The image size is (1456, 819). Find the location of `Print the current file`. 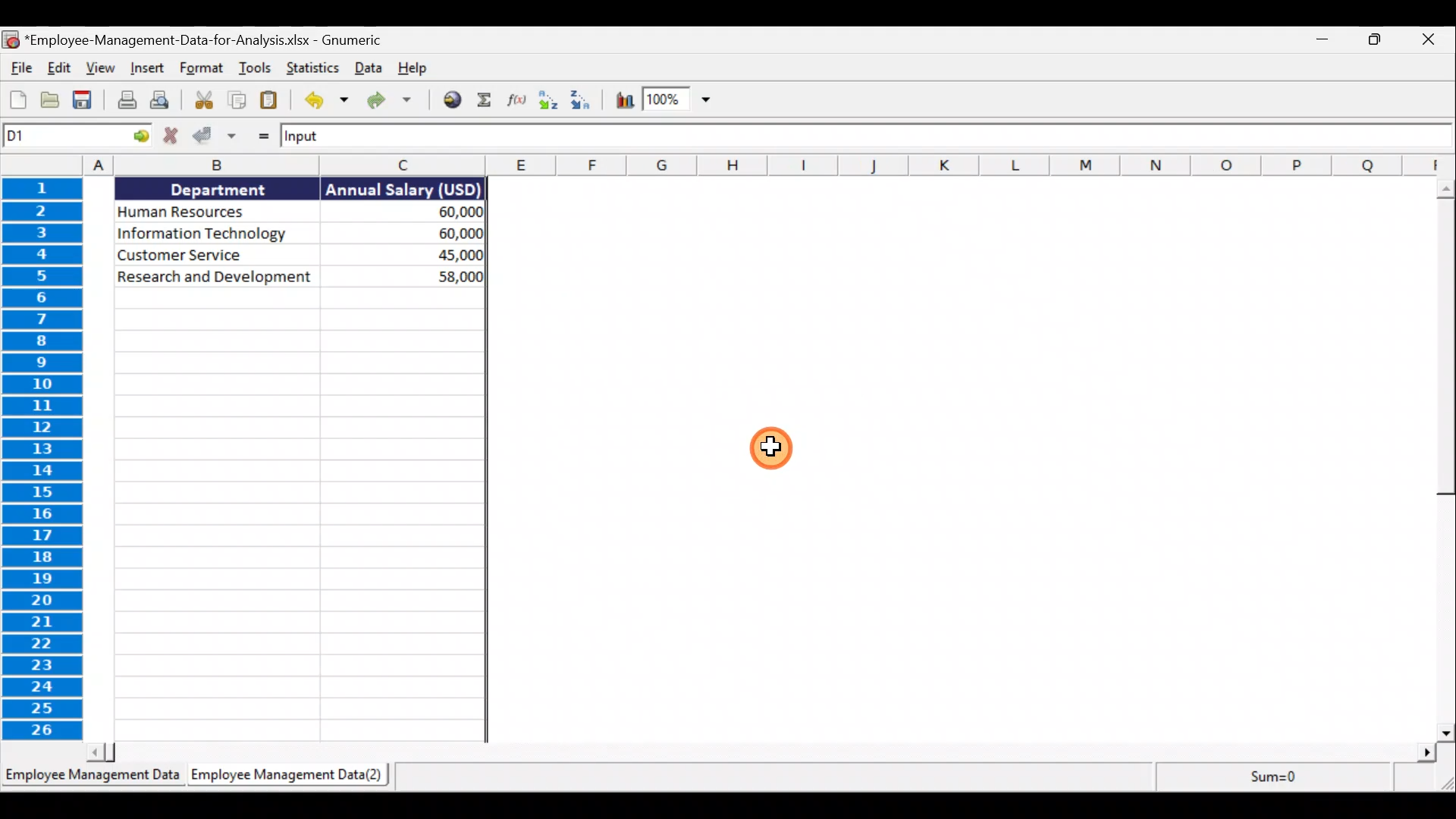

Print the current file is located at coordinates (124, 102).